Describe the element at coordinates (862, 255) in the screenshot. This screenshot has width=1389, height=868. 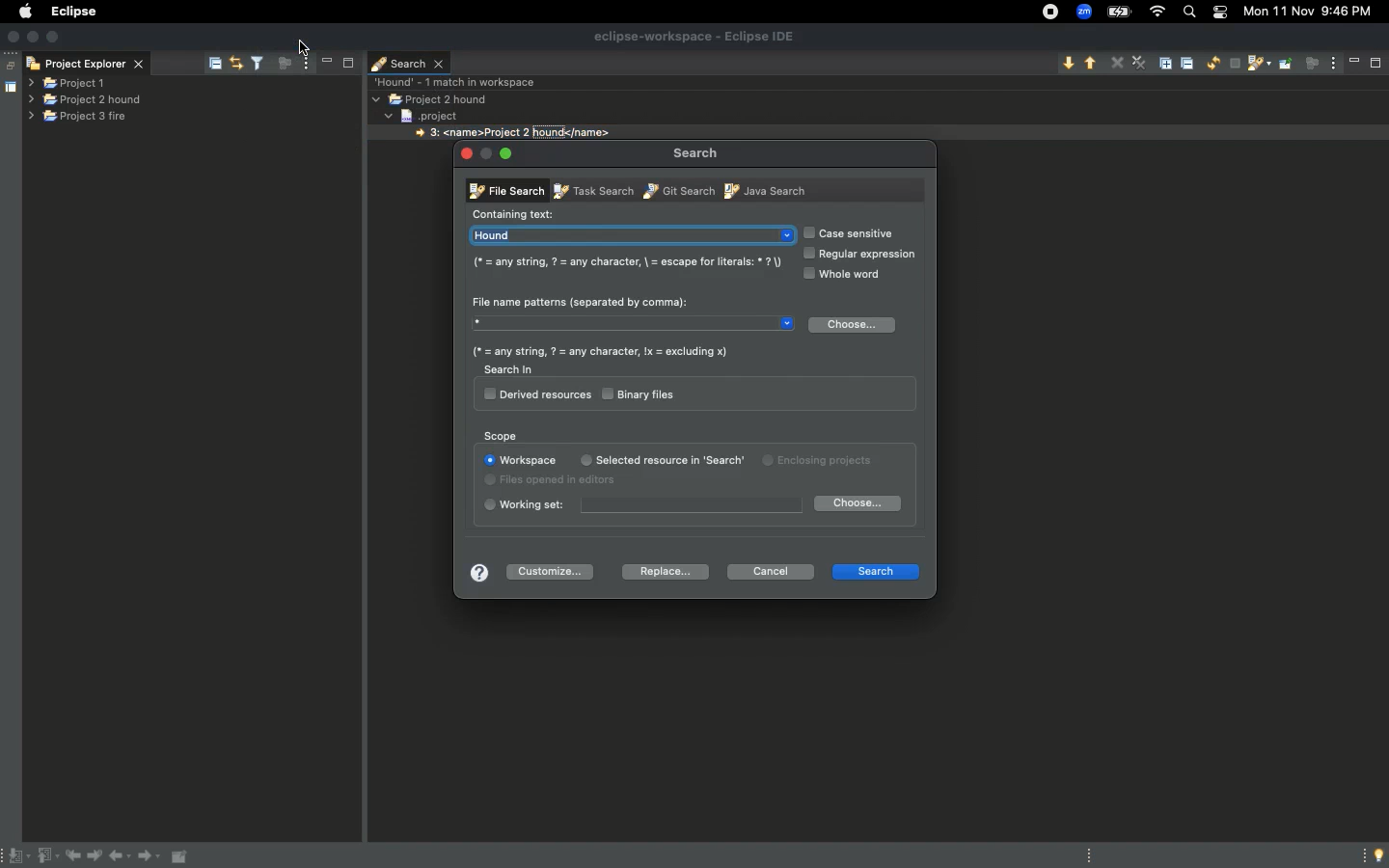
I see `Regular expression` at that location.